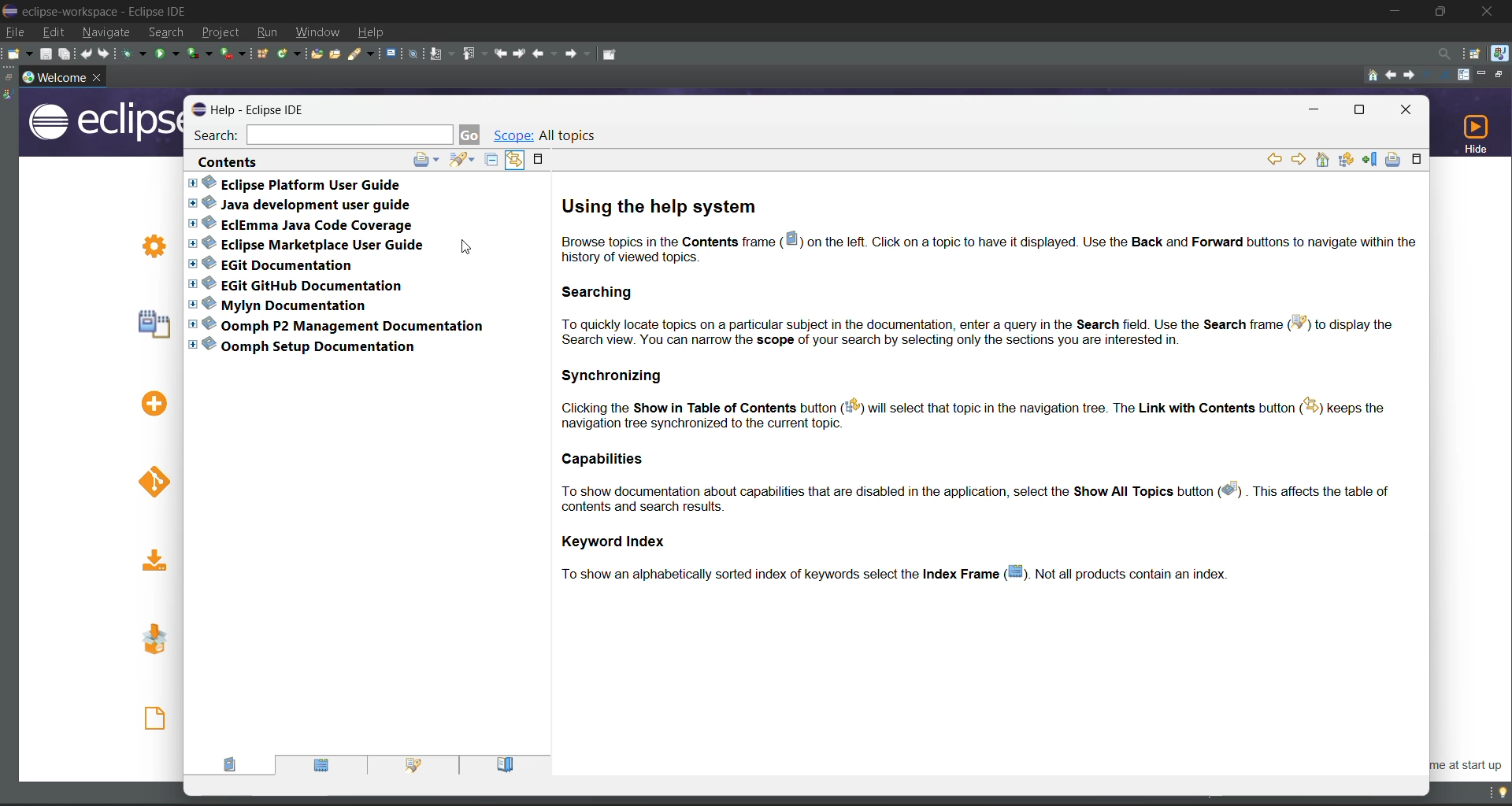 The image size is (1512, 806). I want to click on redo, so click(104, 51).